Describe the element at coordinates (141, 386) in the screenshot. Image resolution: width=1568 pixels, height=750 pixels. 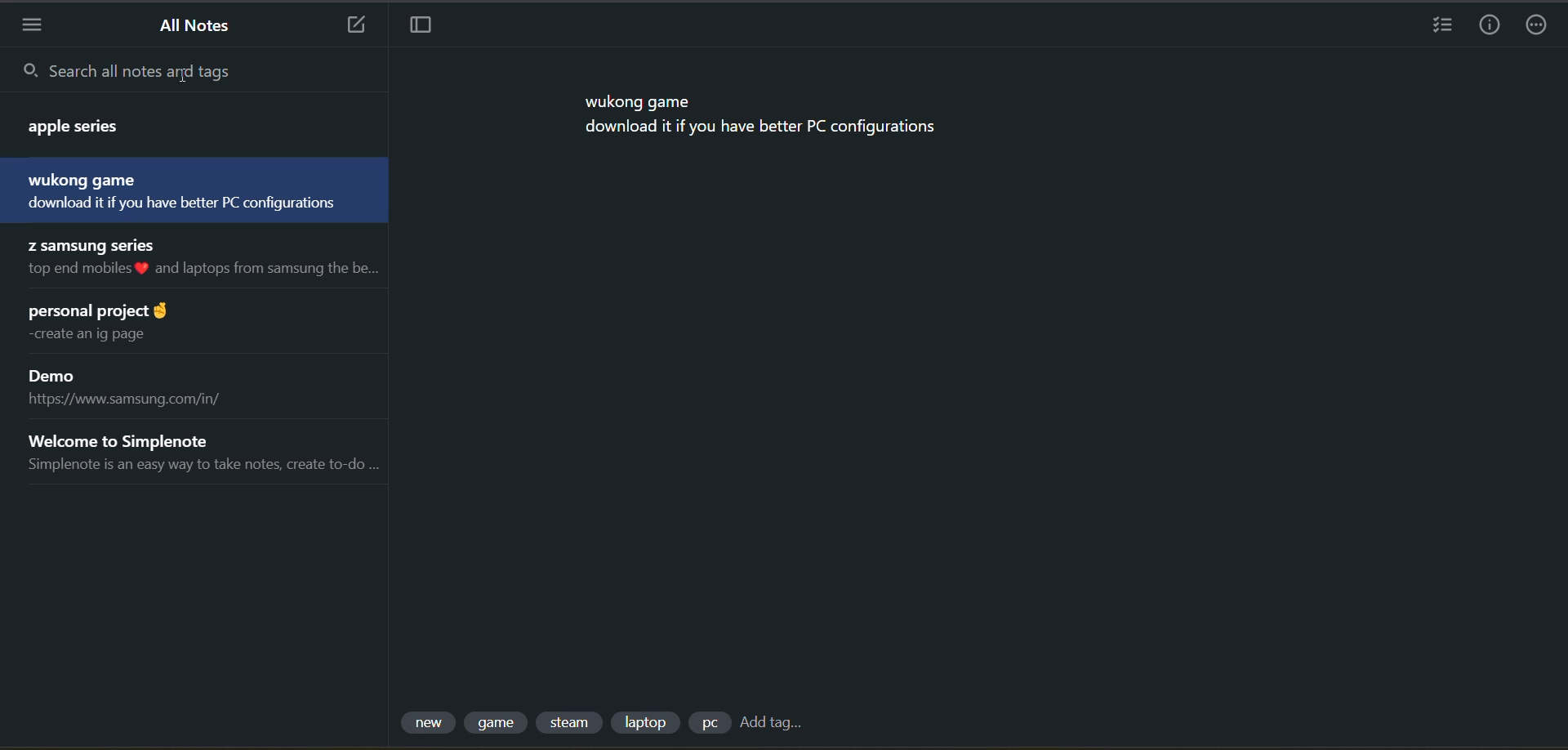
I see `note title and preview` at that location.